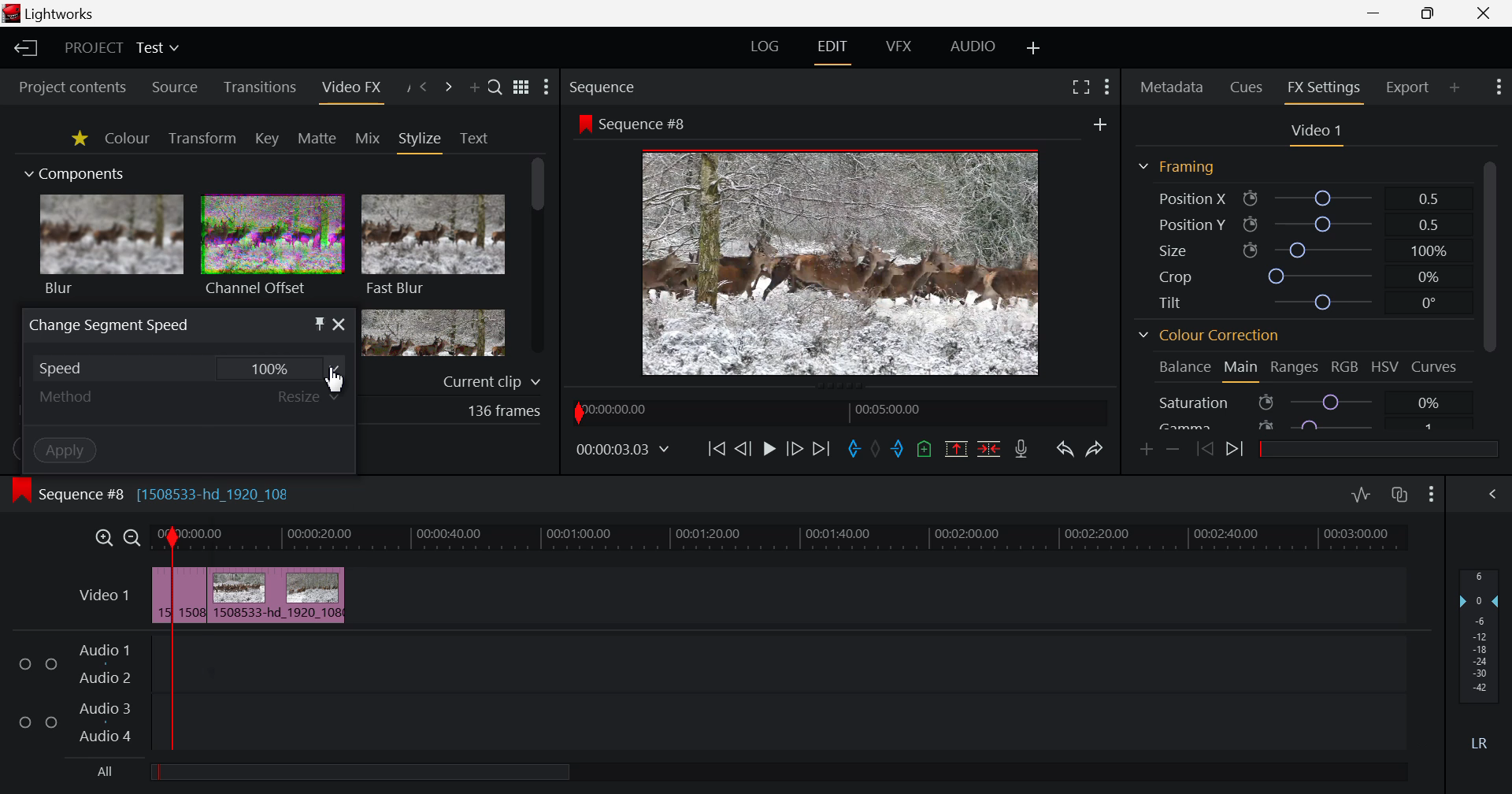 The height and width of the screenshot is (794, 1512). Describe the element at coordinates (1209, 336) in the screenshot. I see `Colour Correction` at that location.